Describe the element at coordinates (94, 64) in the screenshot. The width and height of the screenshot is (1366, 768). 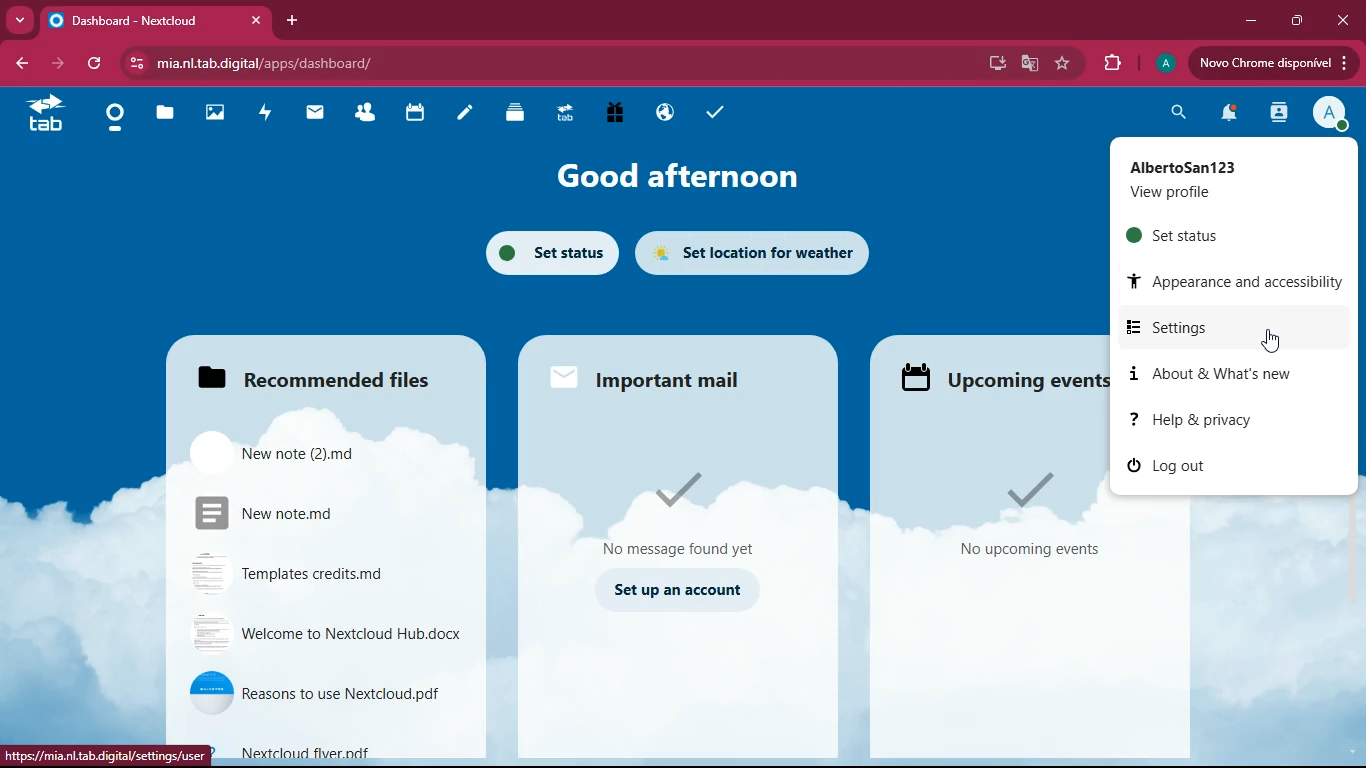
I see `refresh` at that location.